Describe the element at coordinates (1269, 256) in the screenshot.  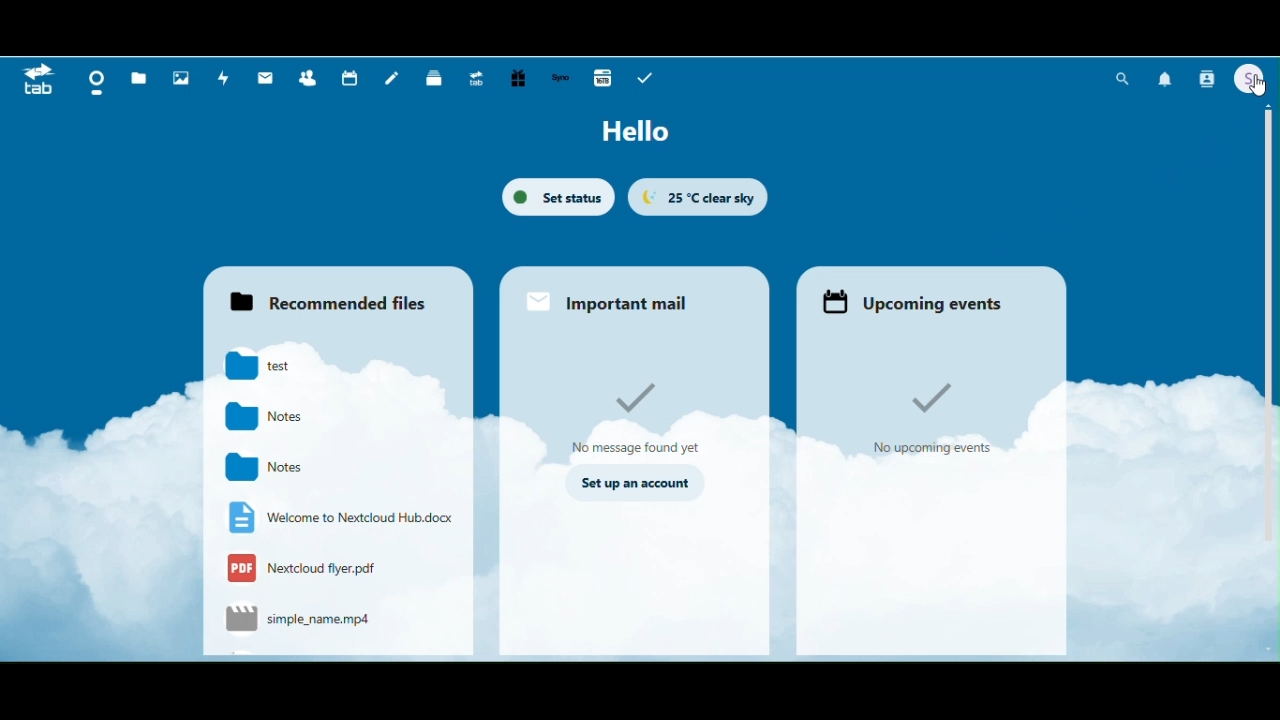
I see `Vertical scroll bar` at that location.